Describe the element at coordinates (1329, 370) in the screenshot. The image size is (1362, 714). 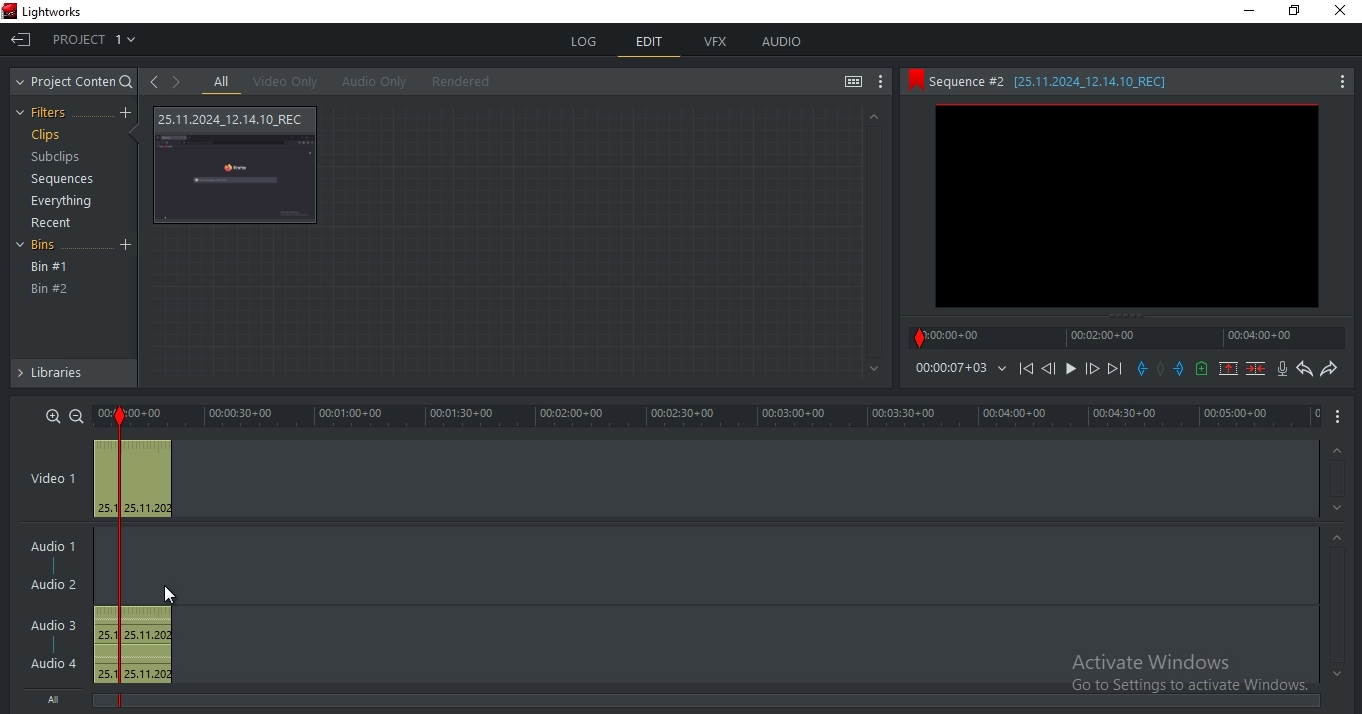
I see `redo` at that location.